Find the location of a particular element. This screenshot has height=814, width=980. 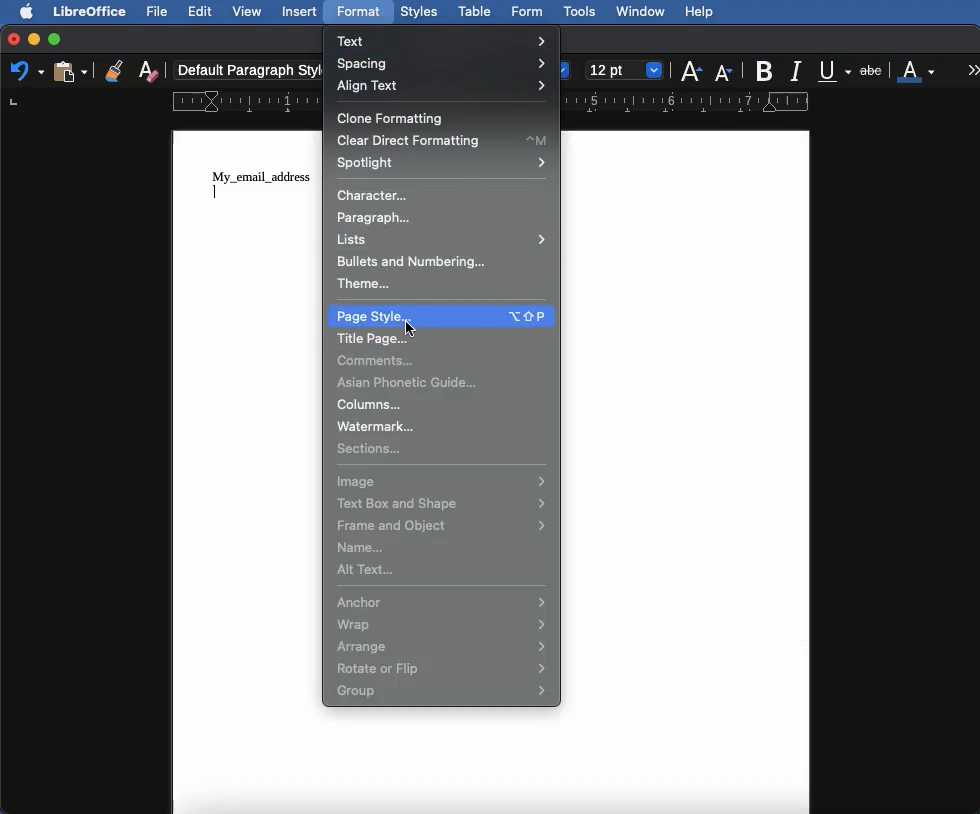

Page style is located at coordinates (443, 316).